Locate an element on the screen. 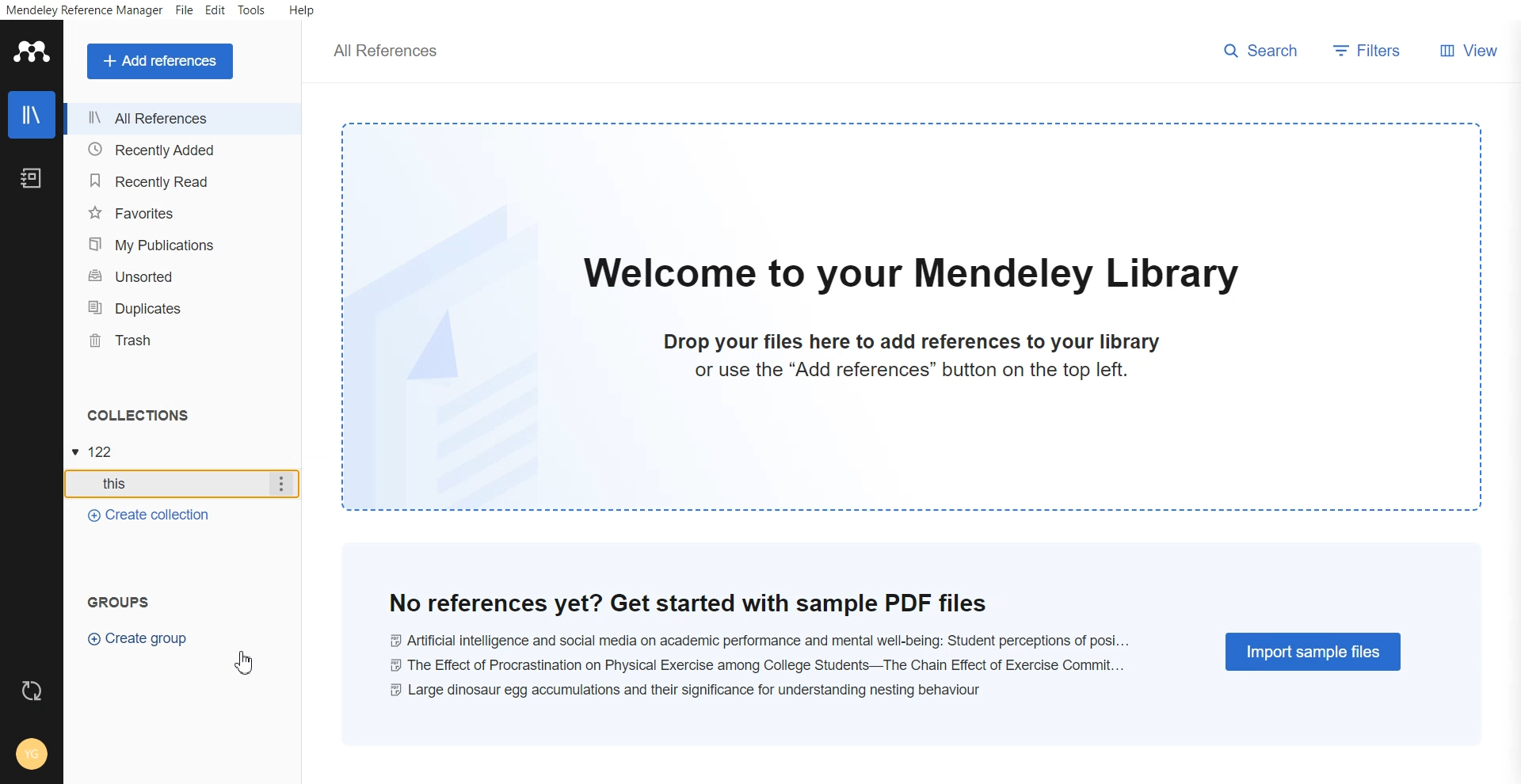 The height and width of the screenshot is (784, 1521). no reference yet? get started with sample pdf files is located at coordinates (760, 602).